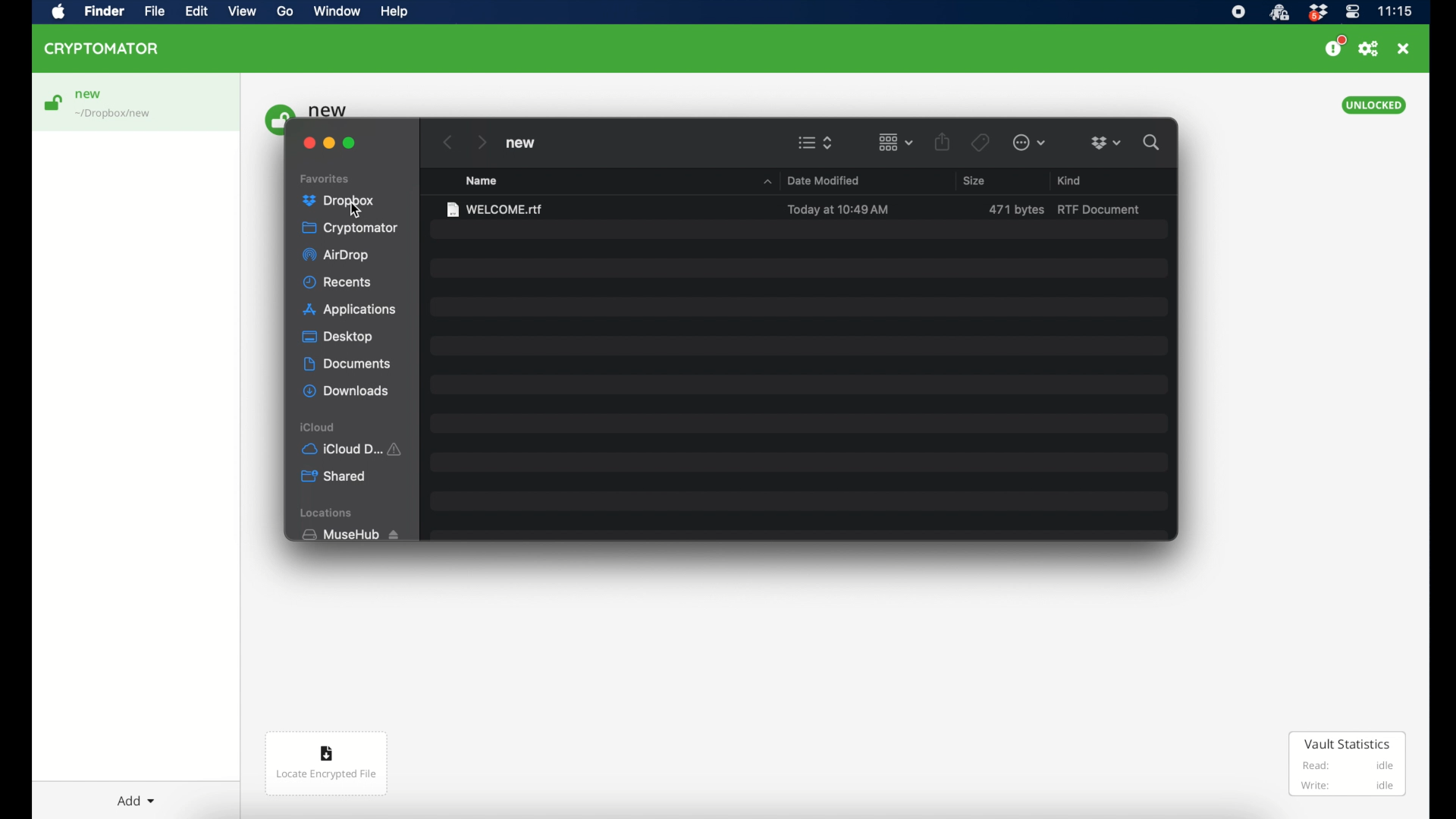 This screenshot has height=819, width=1456. Describe the element at coordinates (329, 143) in the screenshot. I see `minimize` at that location.